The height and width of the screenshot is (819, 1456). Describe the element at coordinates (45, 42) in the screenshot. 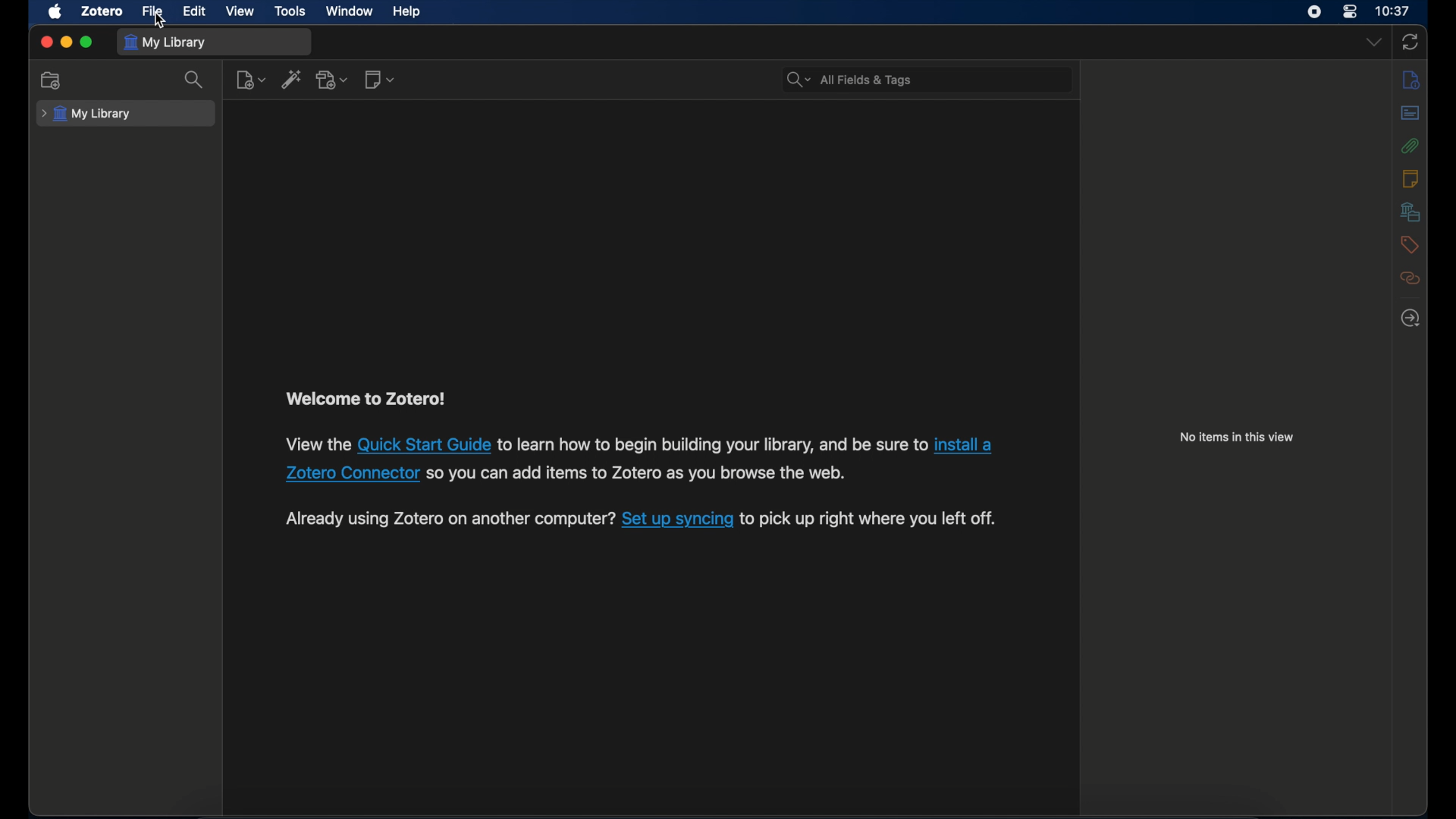

I see `close` at that location.